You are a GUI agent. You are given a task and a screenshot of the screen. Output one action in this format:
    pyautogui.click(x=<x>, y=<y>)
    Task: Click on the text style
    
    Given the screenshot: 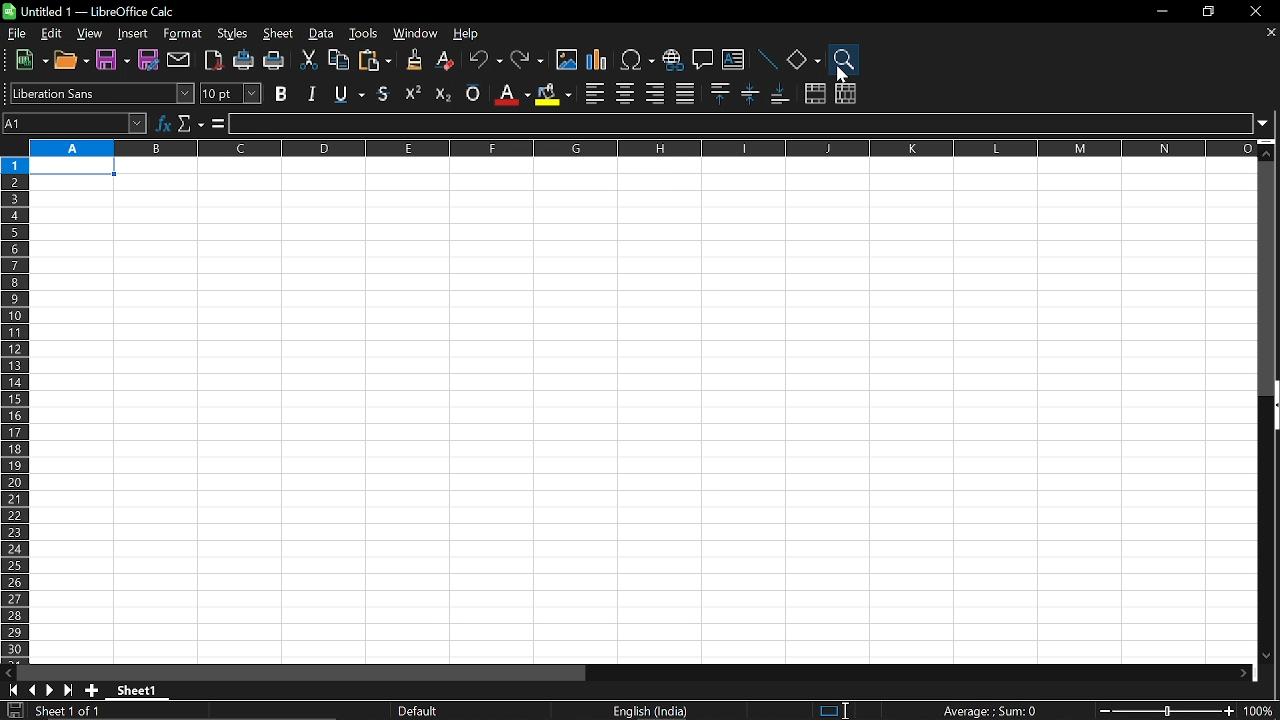 What is the action you would take?
    pyautogui.click(x=102, y=93)
    